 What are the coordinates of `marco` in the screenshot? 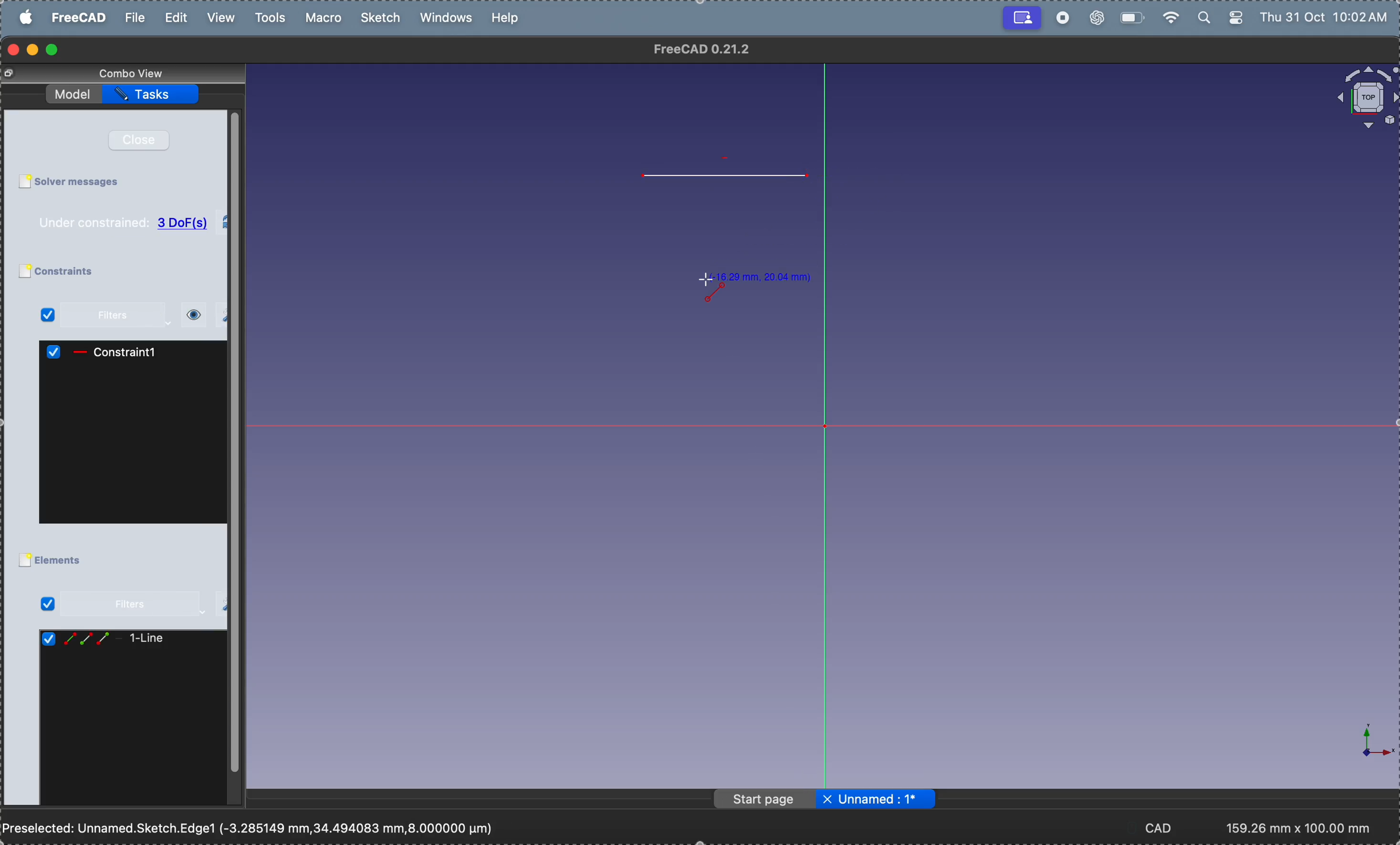 It's located at (327, 18).